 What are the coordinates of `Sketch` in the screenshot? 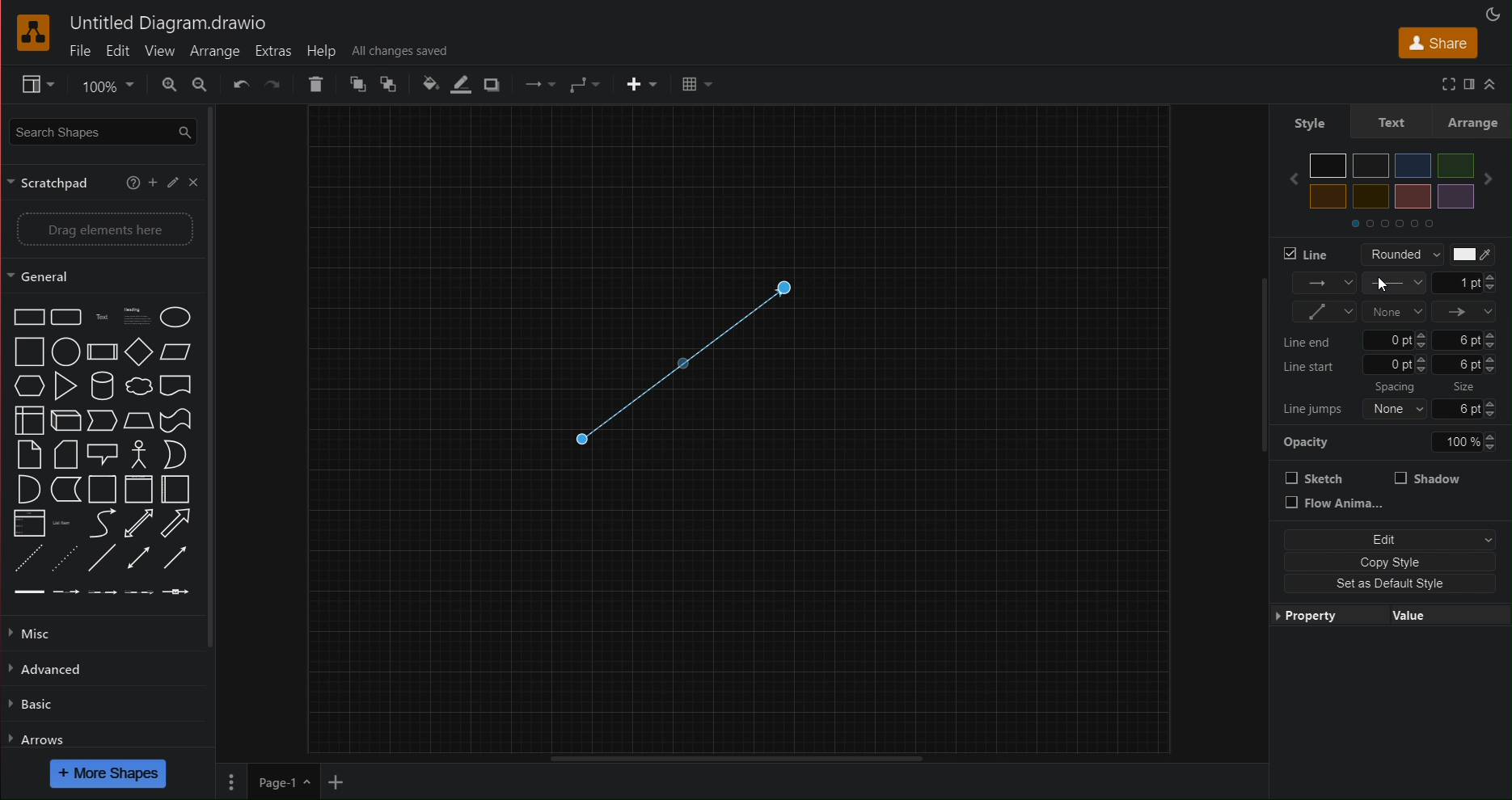 It's located at (1316, 478).